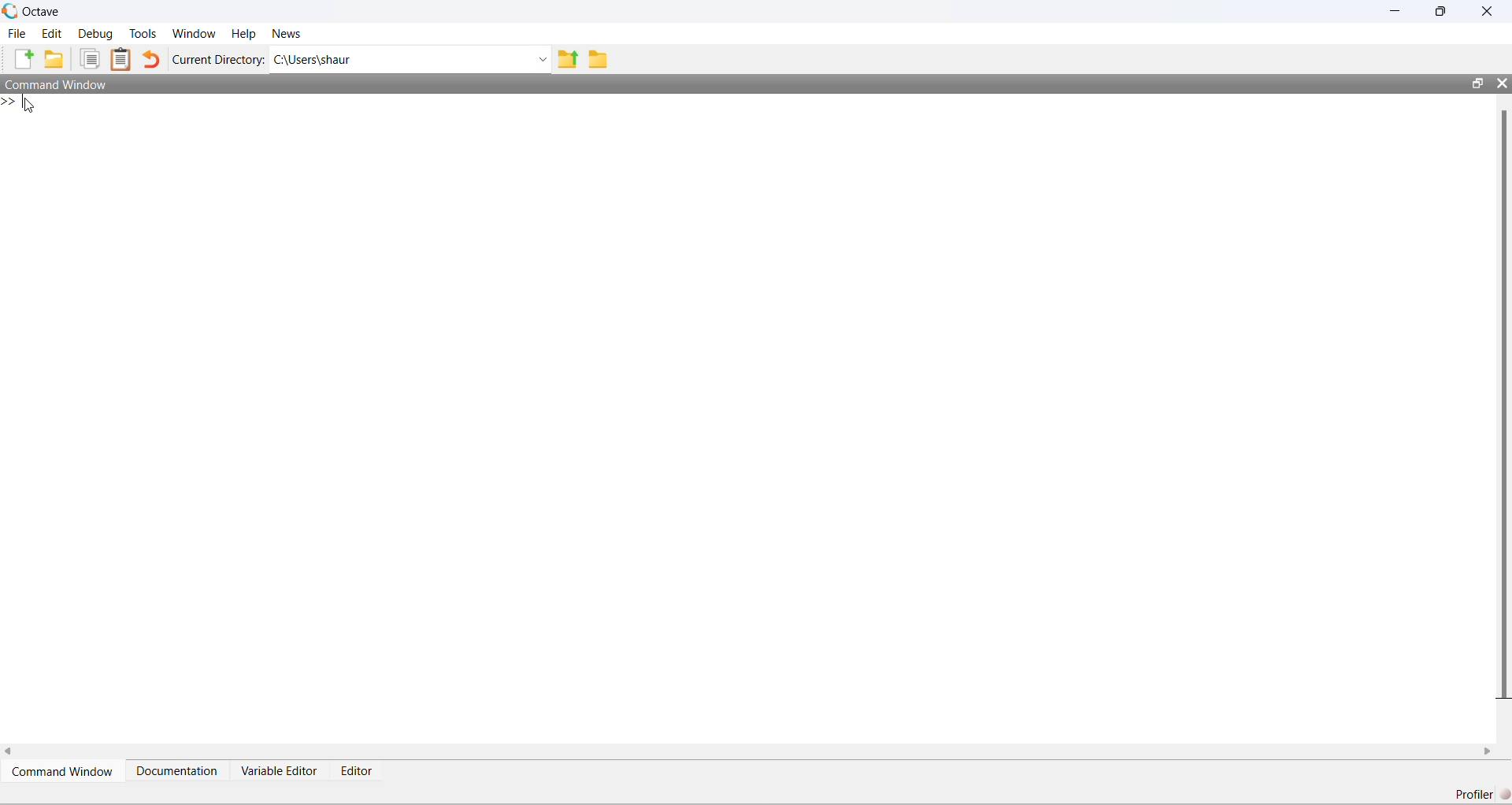 The height and width of the screenshot is (805, 1512). What do you see at coordinates (400, 59) in the screenshot?
I see `C:\Users\shaur` at bounding box center [400, 59].